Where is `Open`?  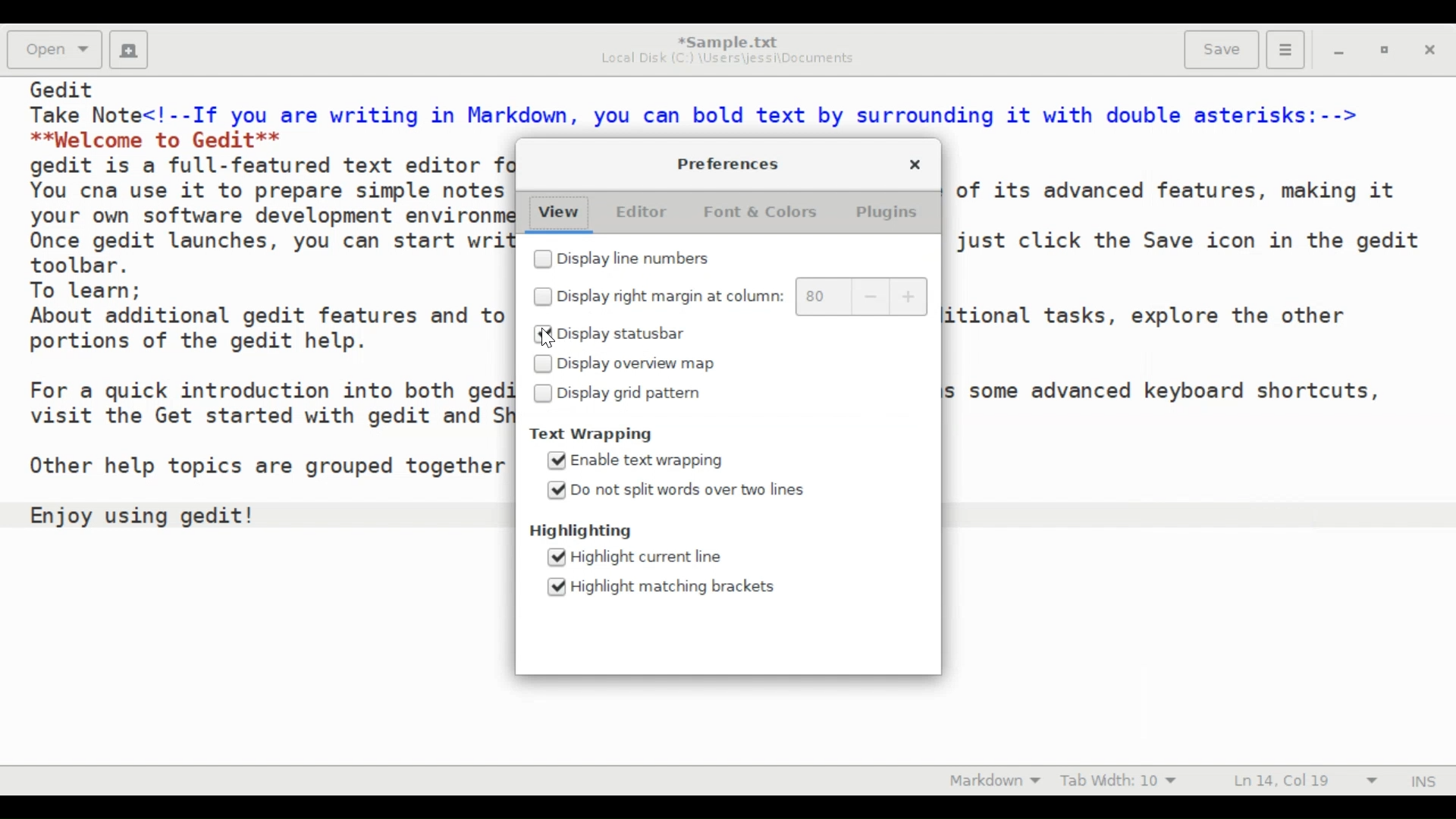 Open is located at coordinates (54, 49).